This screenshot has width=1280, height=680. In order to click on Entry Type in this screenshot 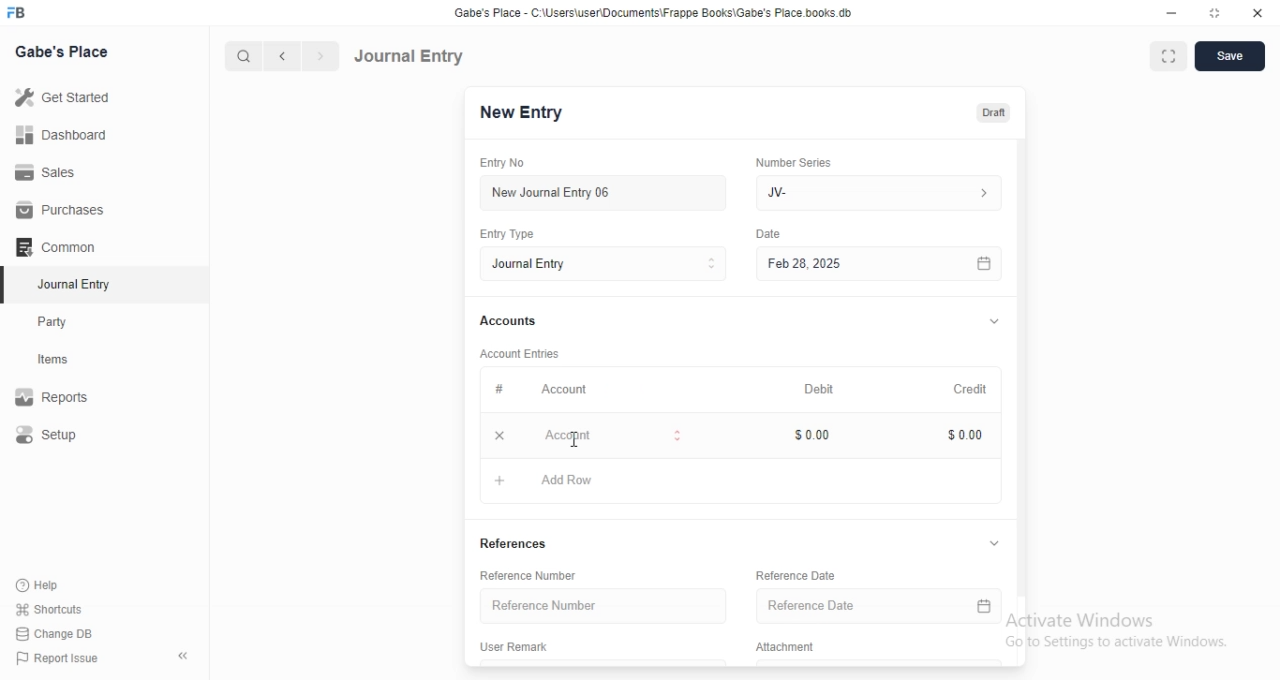, I will do `click(602, 264)`.